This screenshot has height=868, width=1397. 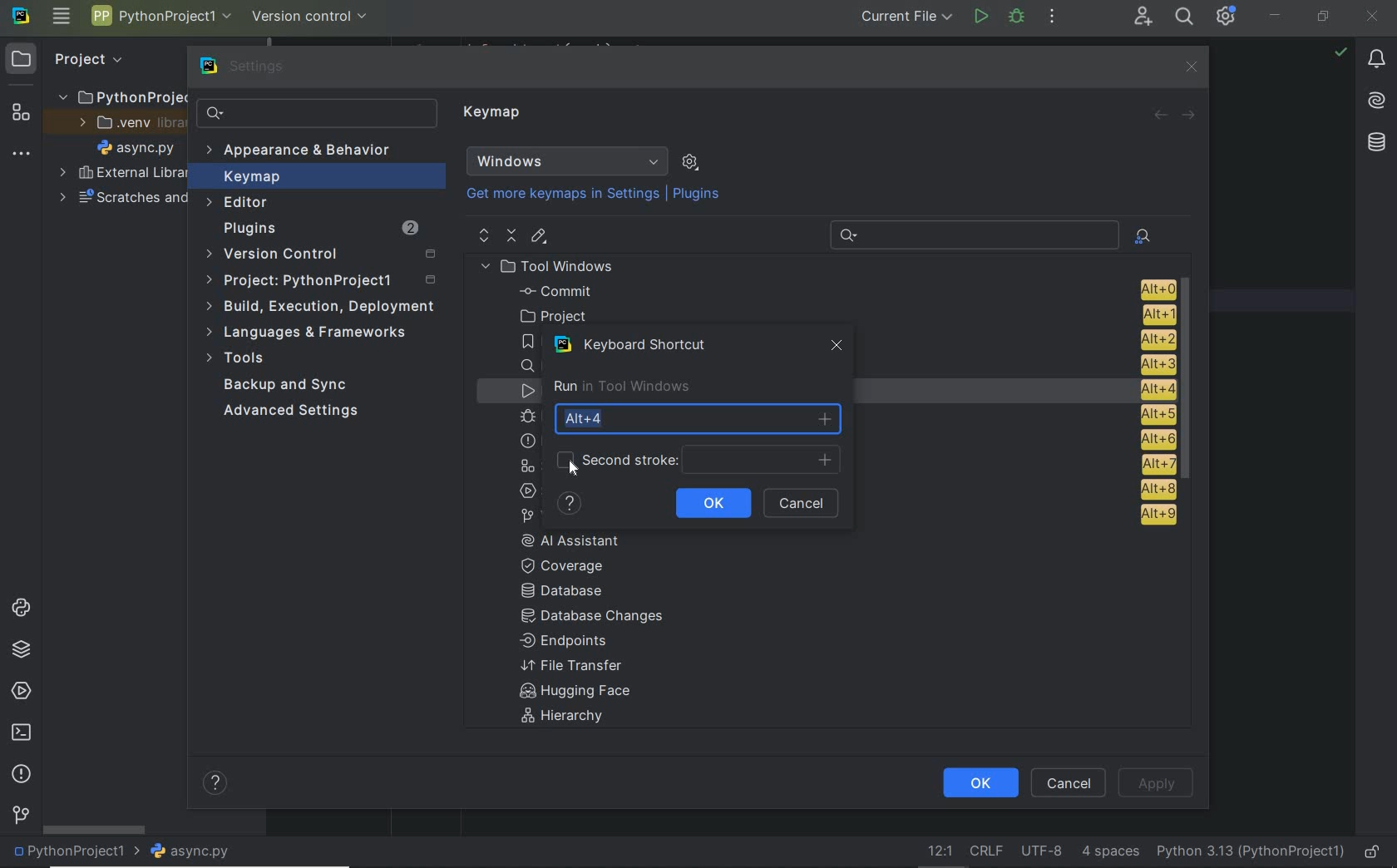 What do you see at coordinates (294, 412) in the screenshot?
I see `Advanced Settings` at bounding box center [294, 412].